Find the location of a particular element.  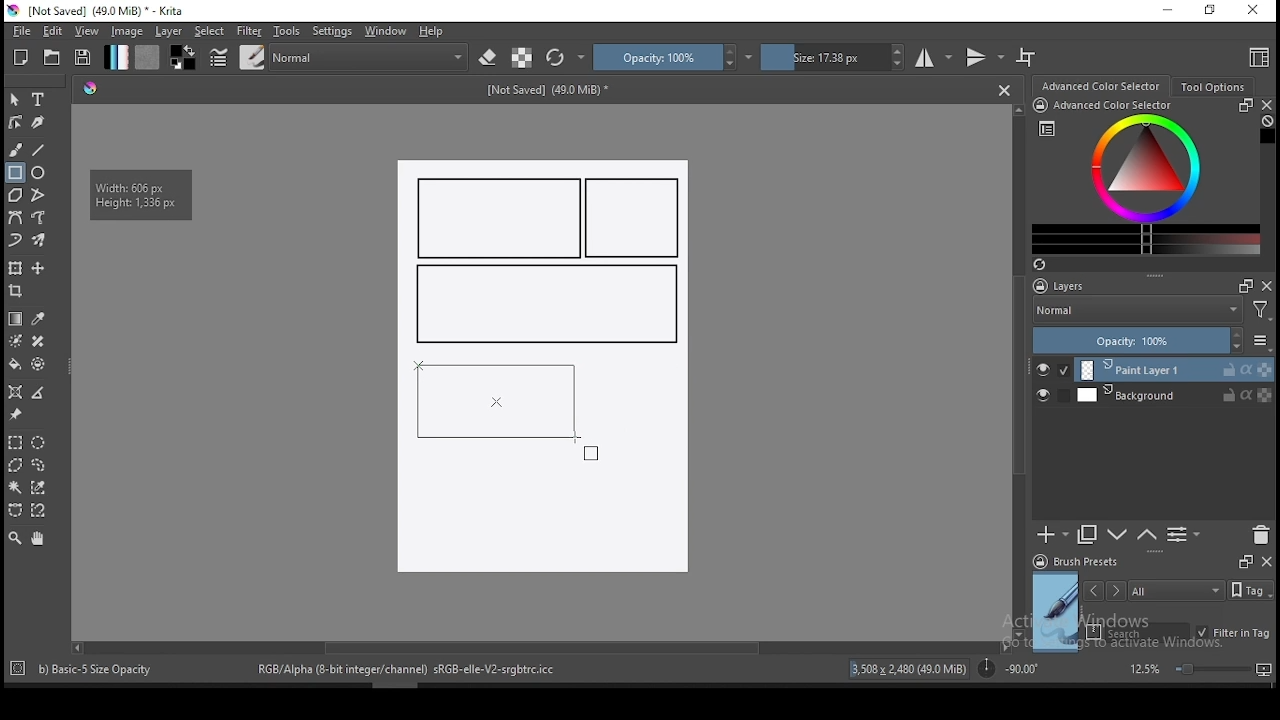

colors is located at coordinates (183, 57).